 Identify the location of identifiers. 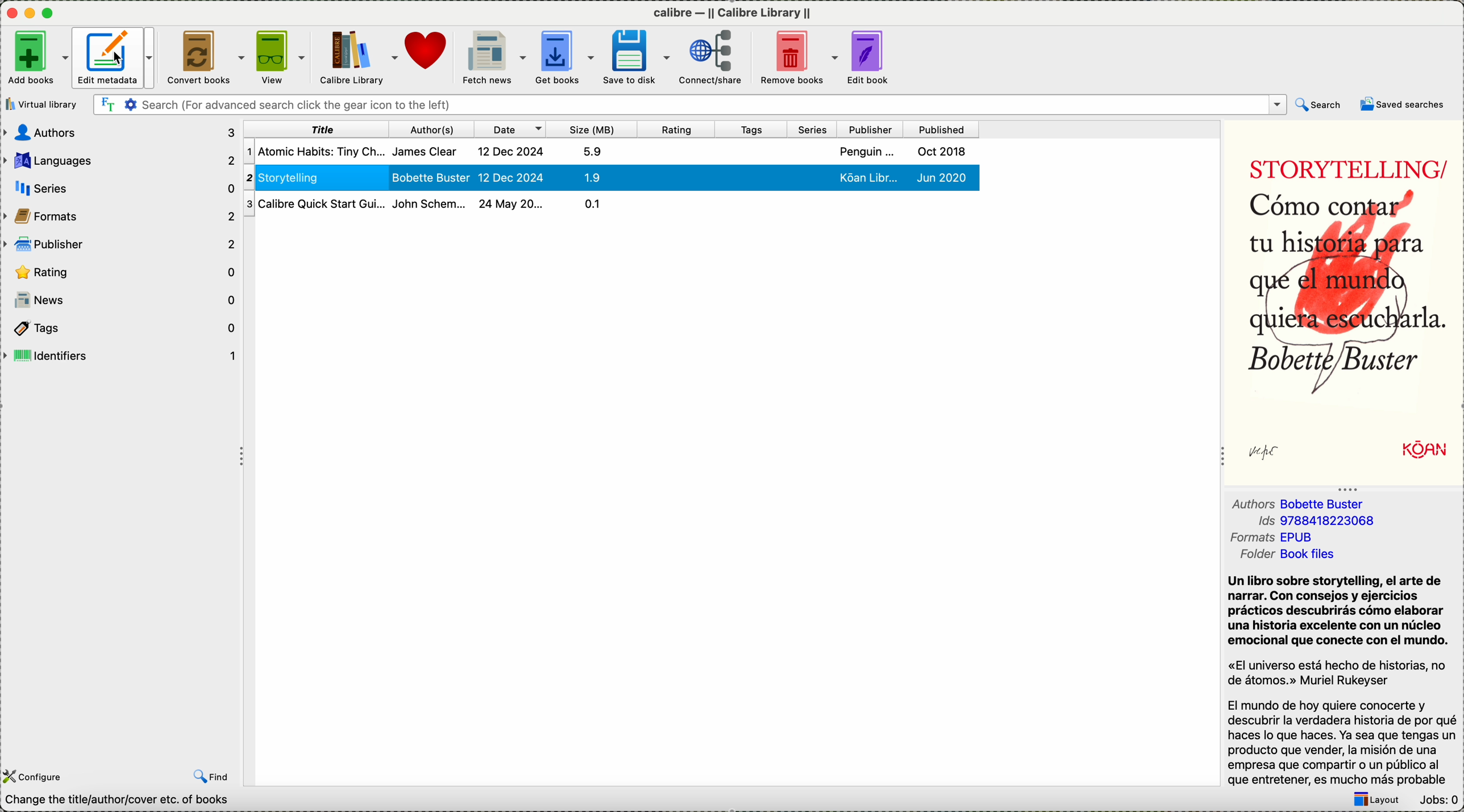
(122, 355).